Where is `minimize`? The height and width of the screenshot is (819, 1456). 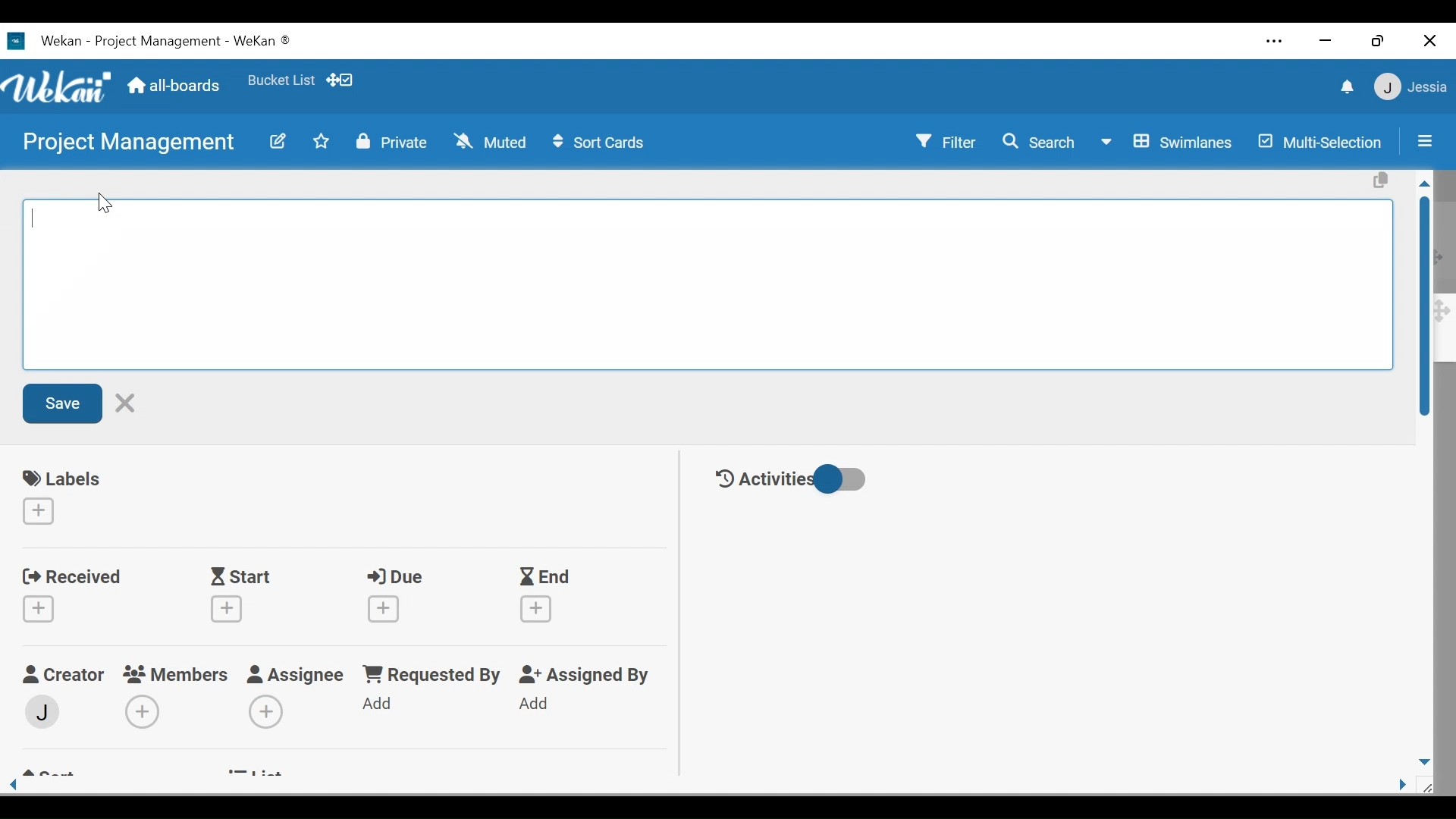 minimize is located at coordinates (1326, 41).